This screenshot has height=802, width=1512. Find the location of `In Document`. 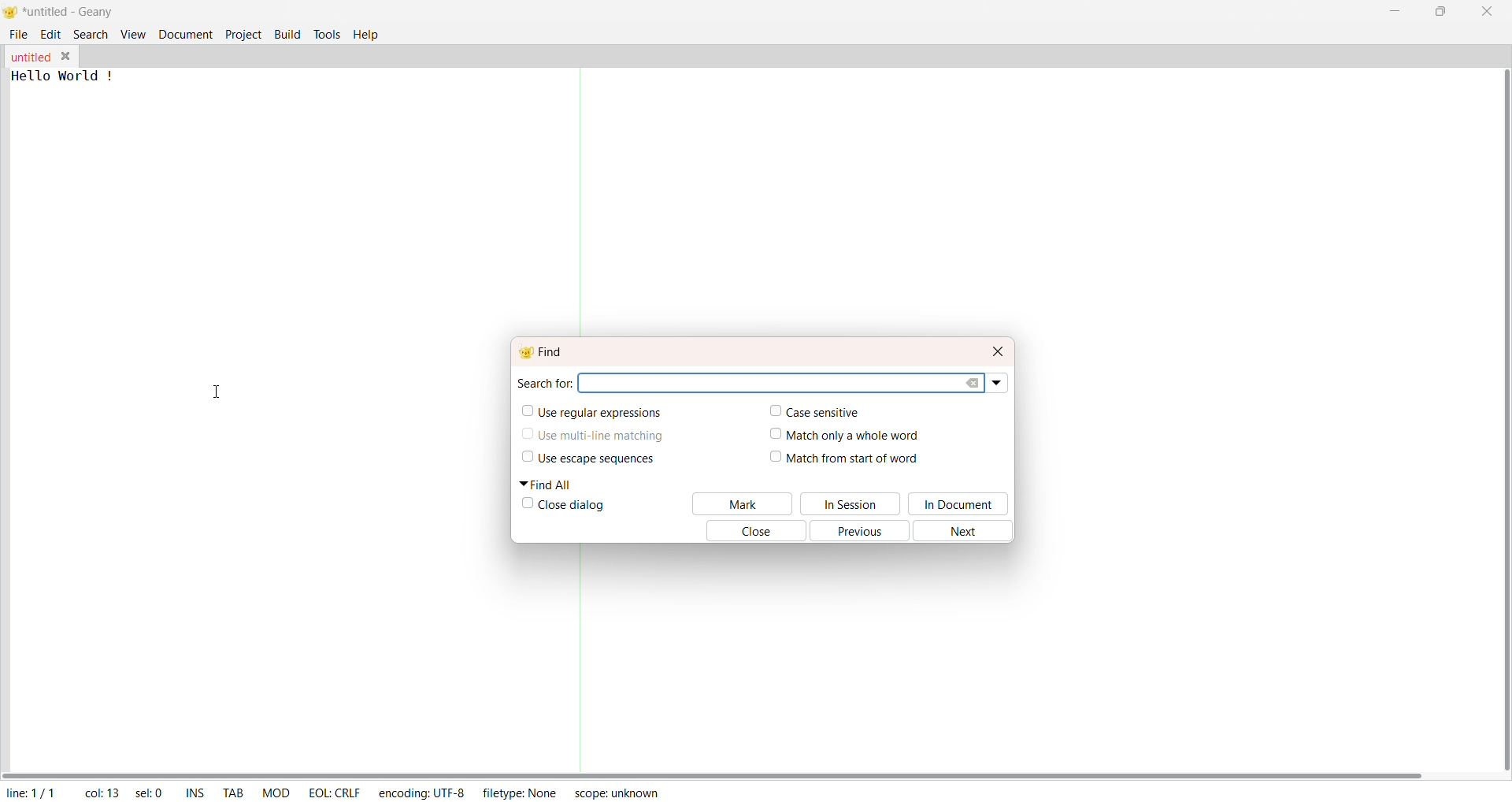

In Document is located at coordinates (962, 504).